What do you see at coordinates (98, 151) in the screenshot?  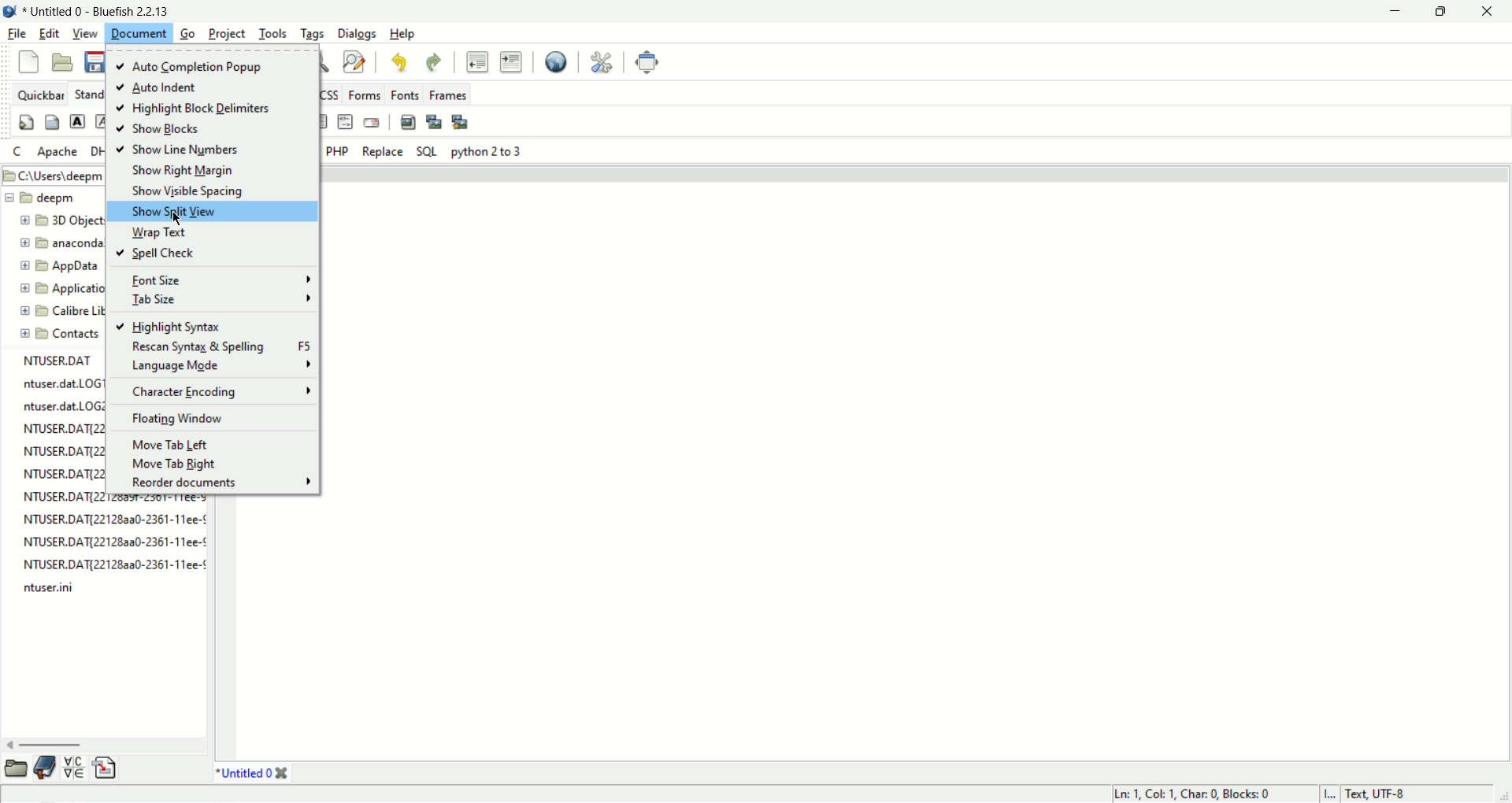 I see `DHTML` at bounding box center [98, 151].